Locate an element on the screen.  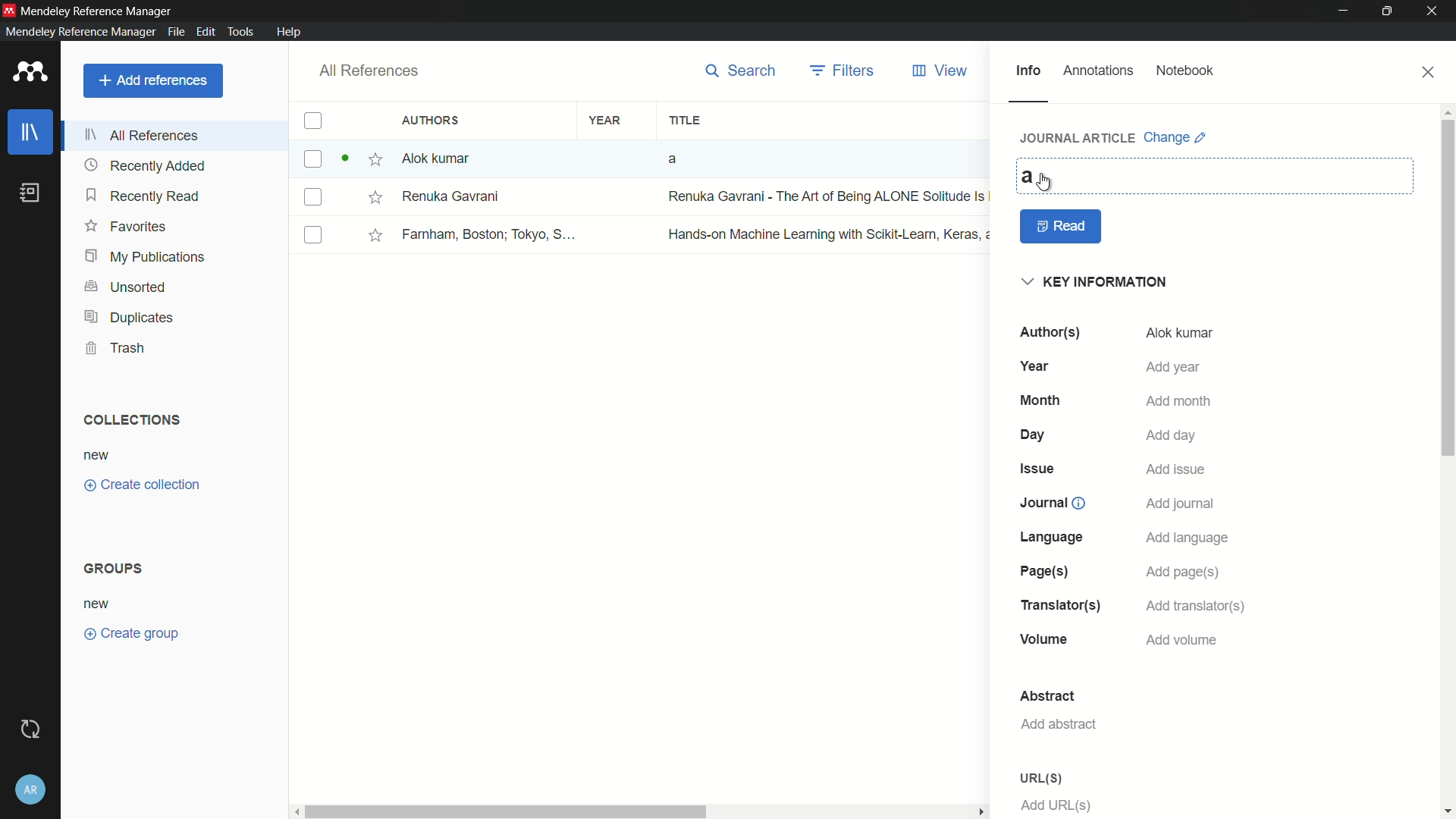
help menu is located at coordinates (288, 32).